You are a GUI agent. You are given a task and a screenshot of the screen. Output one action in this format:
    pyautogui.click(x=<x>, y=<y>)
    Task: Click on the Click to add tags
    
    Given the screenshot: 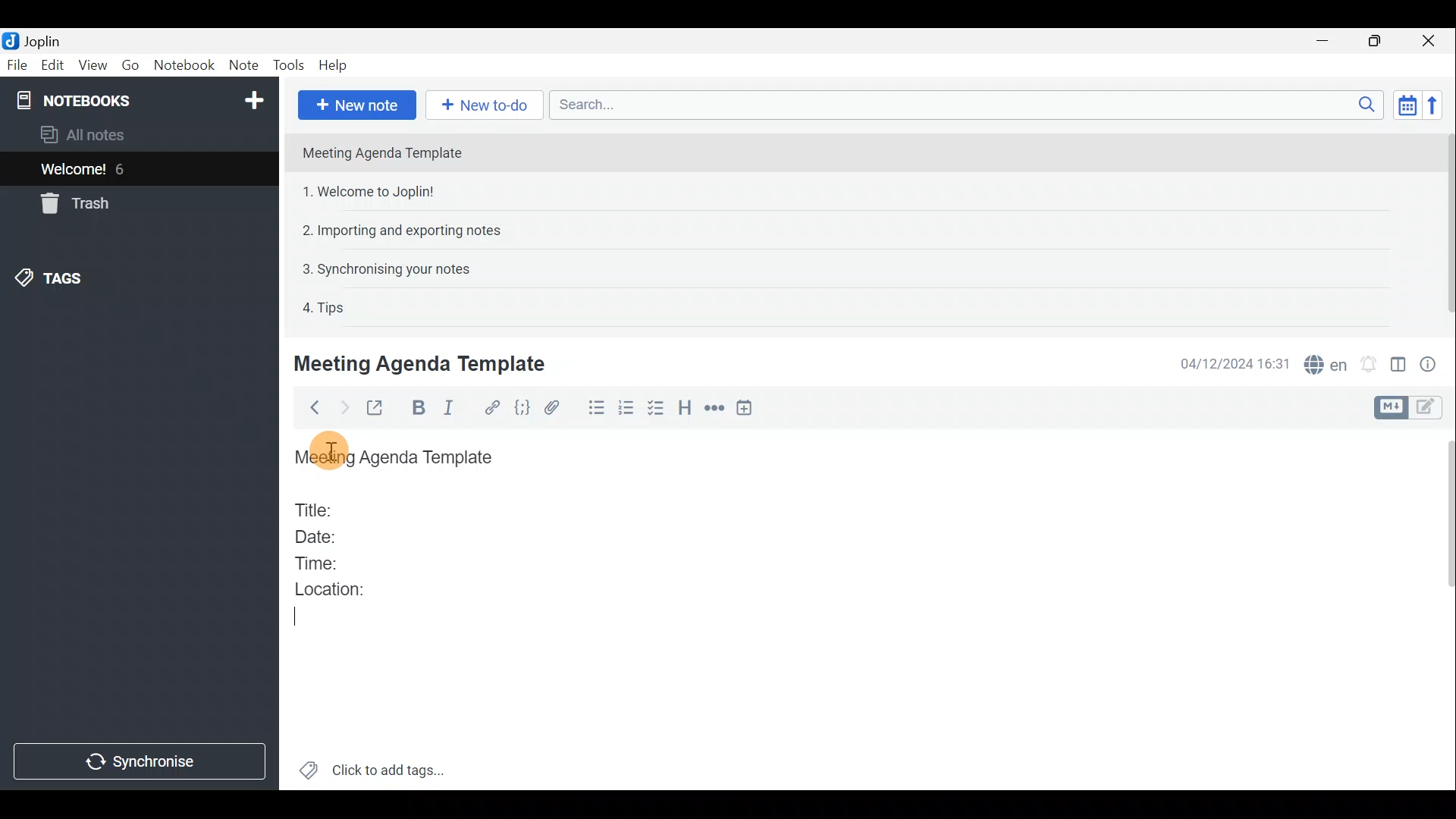 What is the action you would take?
    pyautogui.click(x=393, y=767)
    